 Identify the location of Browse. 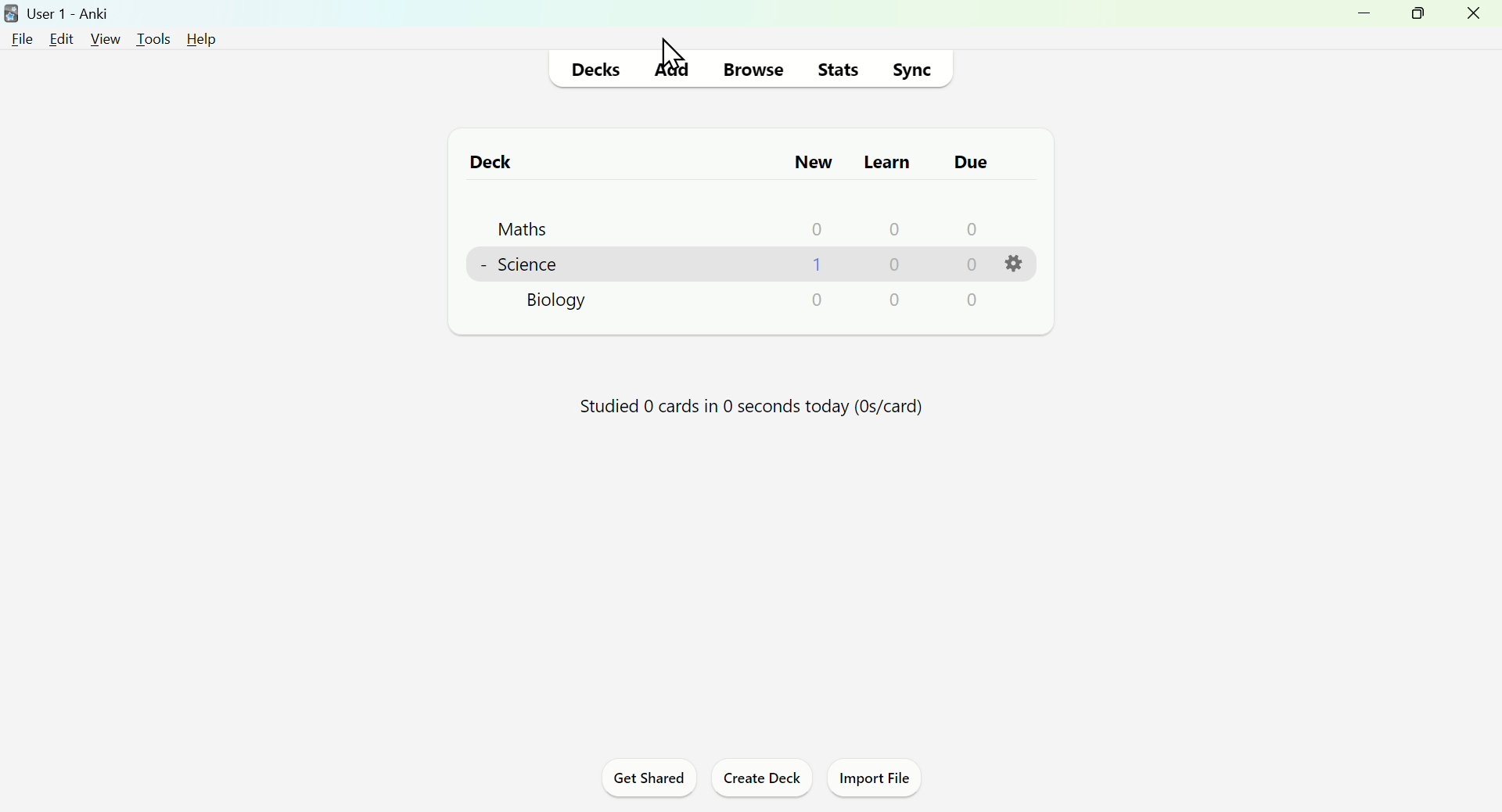
(749, 71).